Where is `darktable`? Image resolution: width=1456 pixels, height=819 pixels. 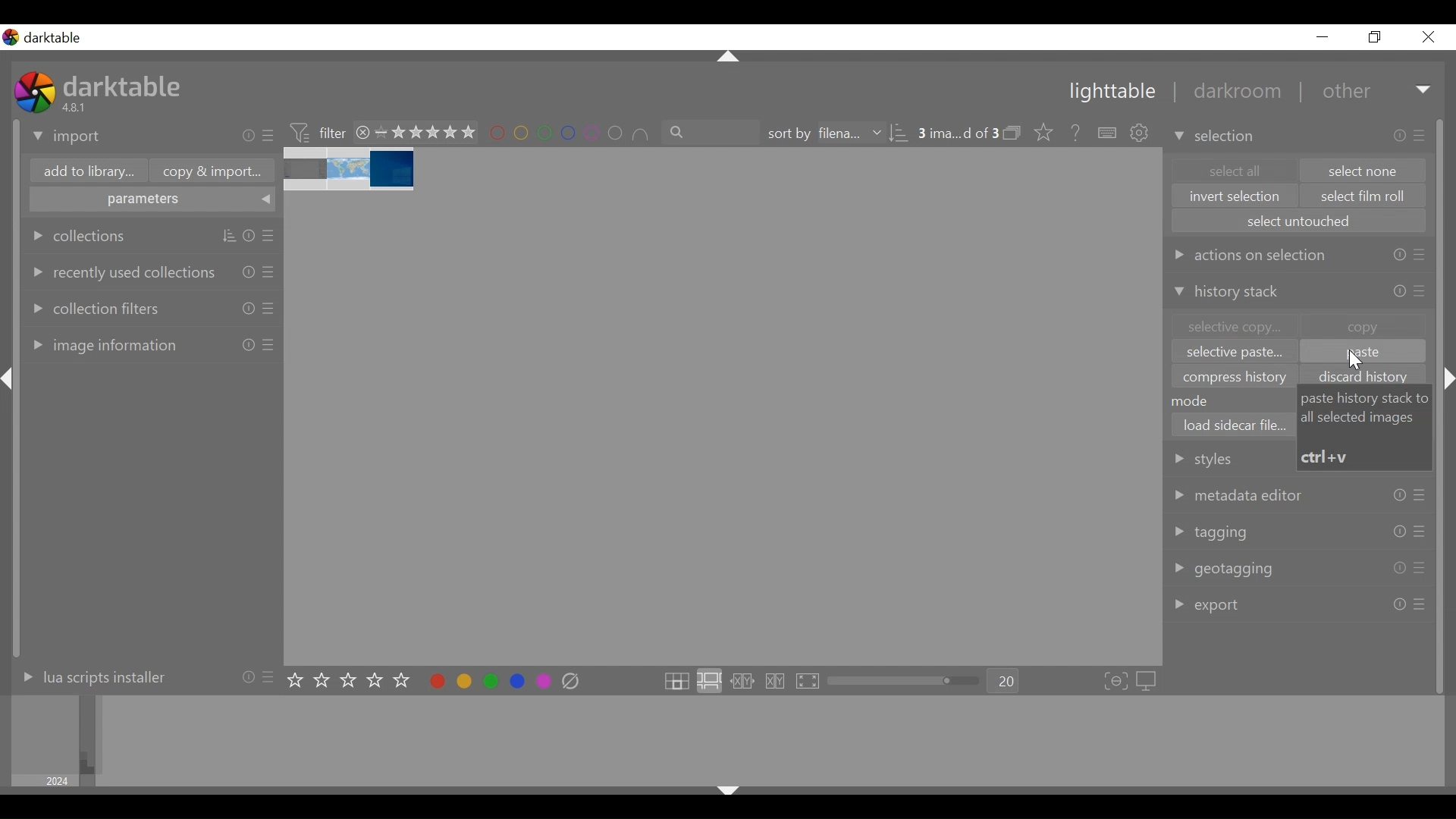
darktable is located at coordinates (58, 38).